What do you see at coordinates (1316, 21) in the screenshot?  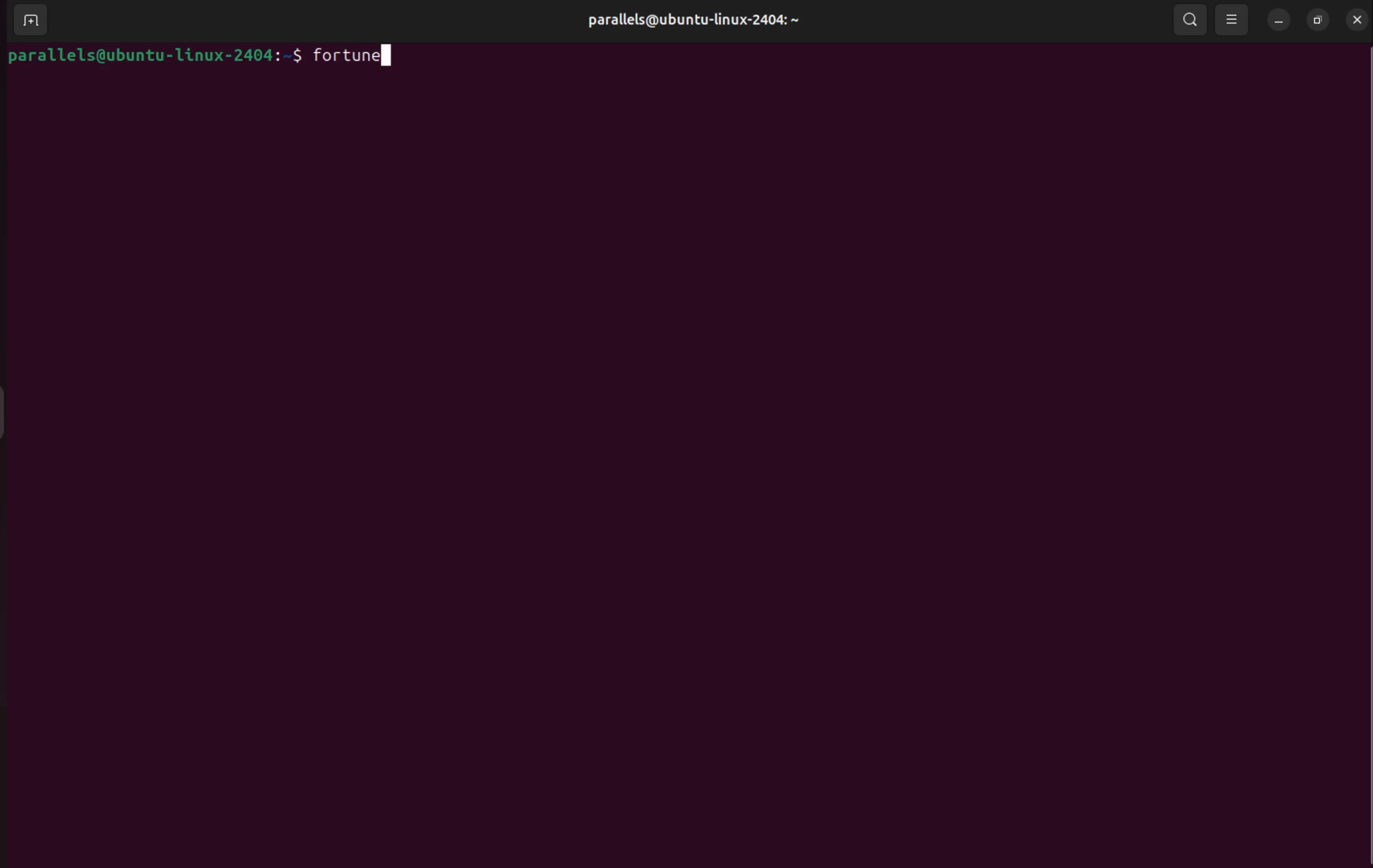 I see `resize` at bounding box center [1316, 21].